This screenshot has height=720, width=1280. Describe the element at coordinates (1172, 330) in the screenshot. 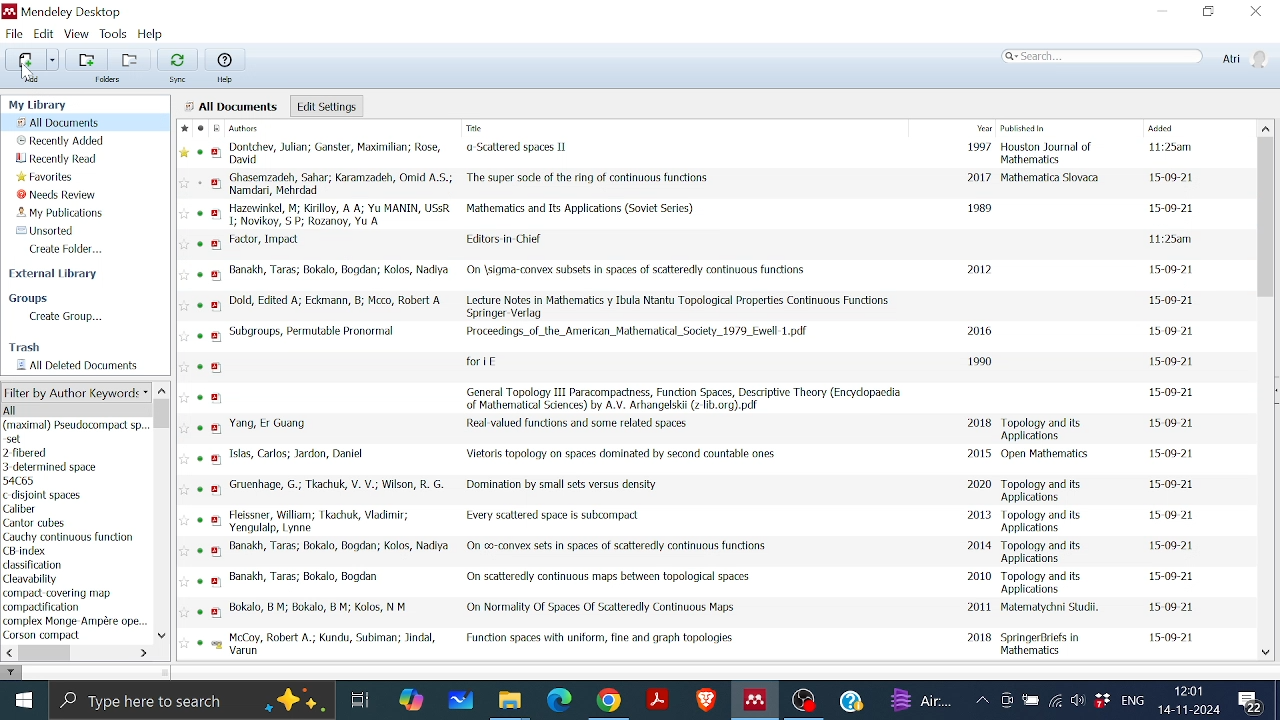

I see `date` at that location.